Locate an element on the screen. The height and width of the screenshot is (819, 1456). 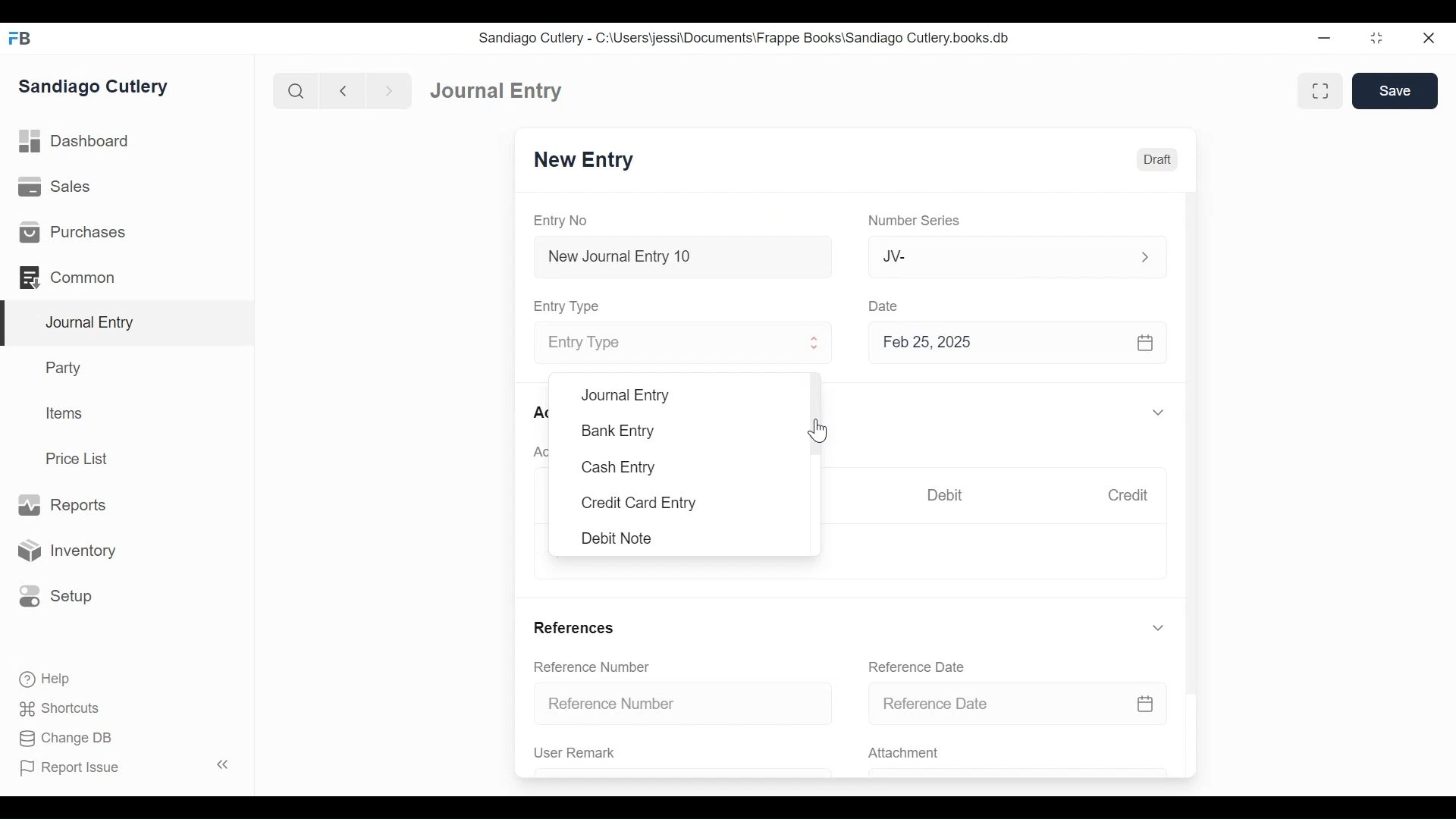
Reference Number is located at coordinates (686, 704).